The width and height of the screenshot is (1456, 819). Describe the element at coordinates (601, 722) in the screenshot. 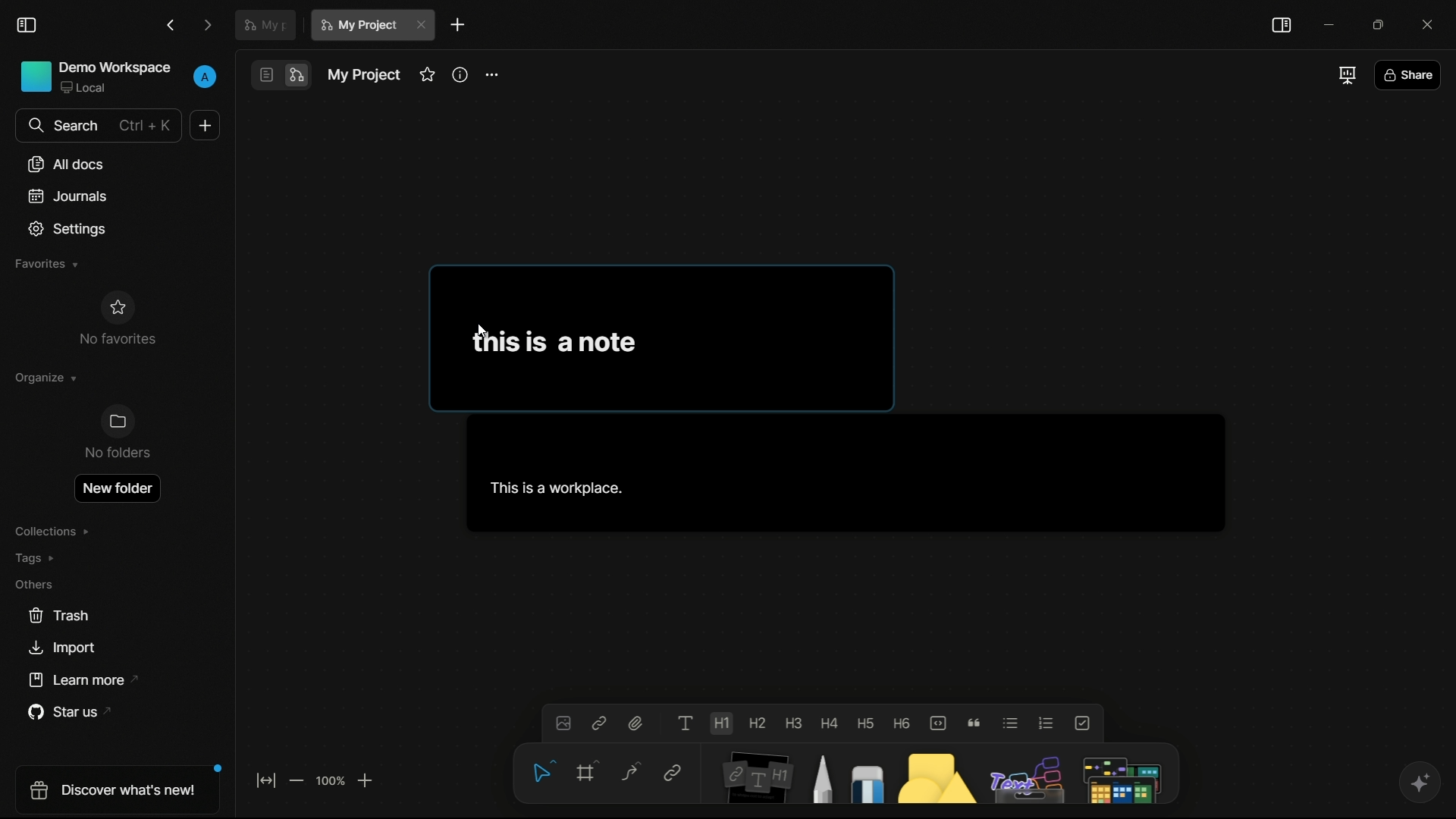

I see `insert link` at that location.